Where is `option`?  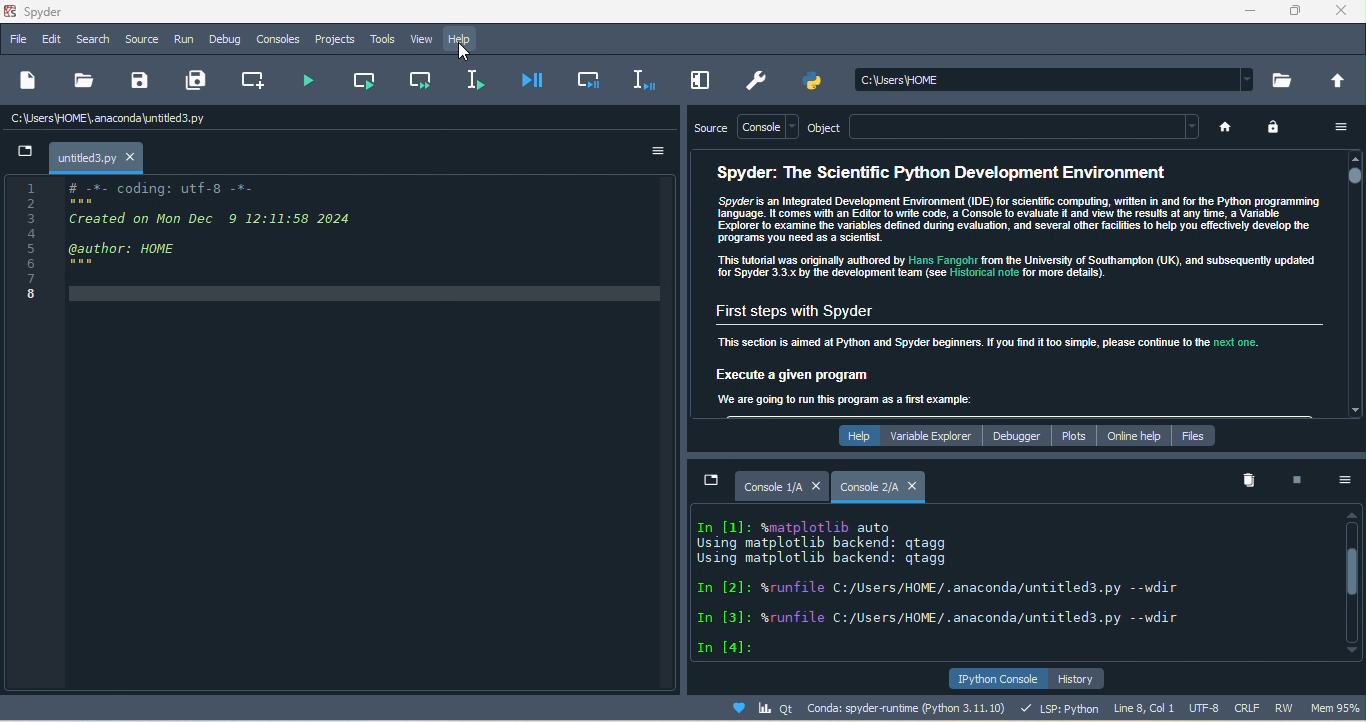 option is located at coordinates (652, 152).